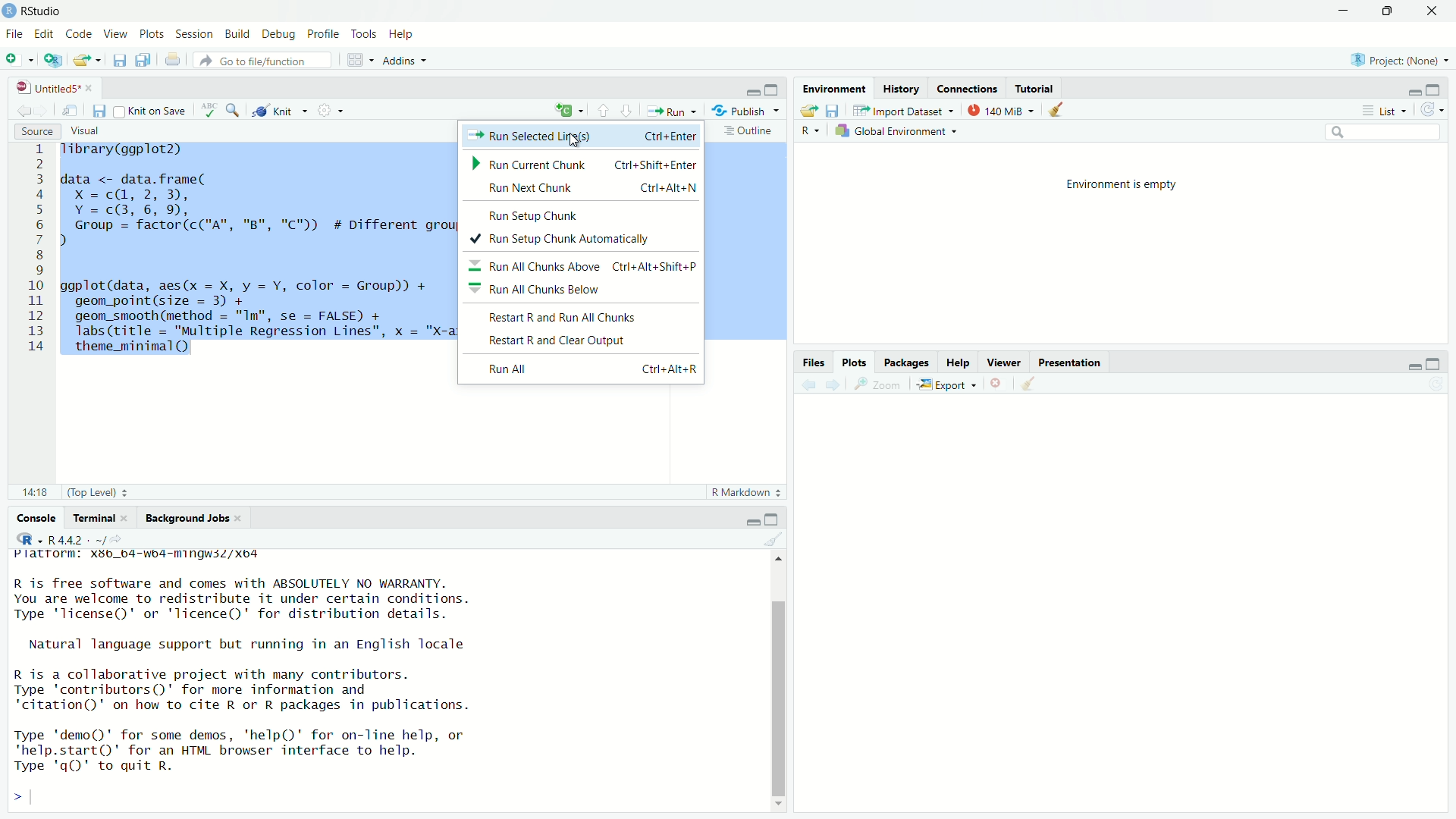  What do you see at coordinates (877, 387) in the screenshot?
I see `zoom` at bounding box center [877, 387].